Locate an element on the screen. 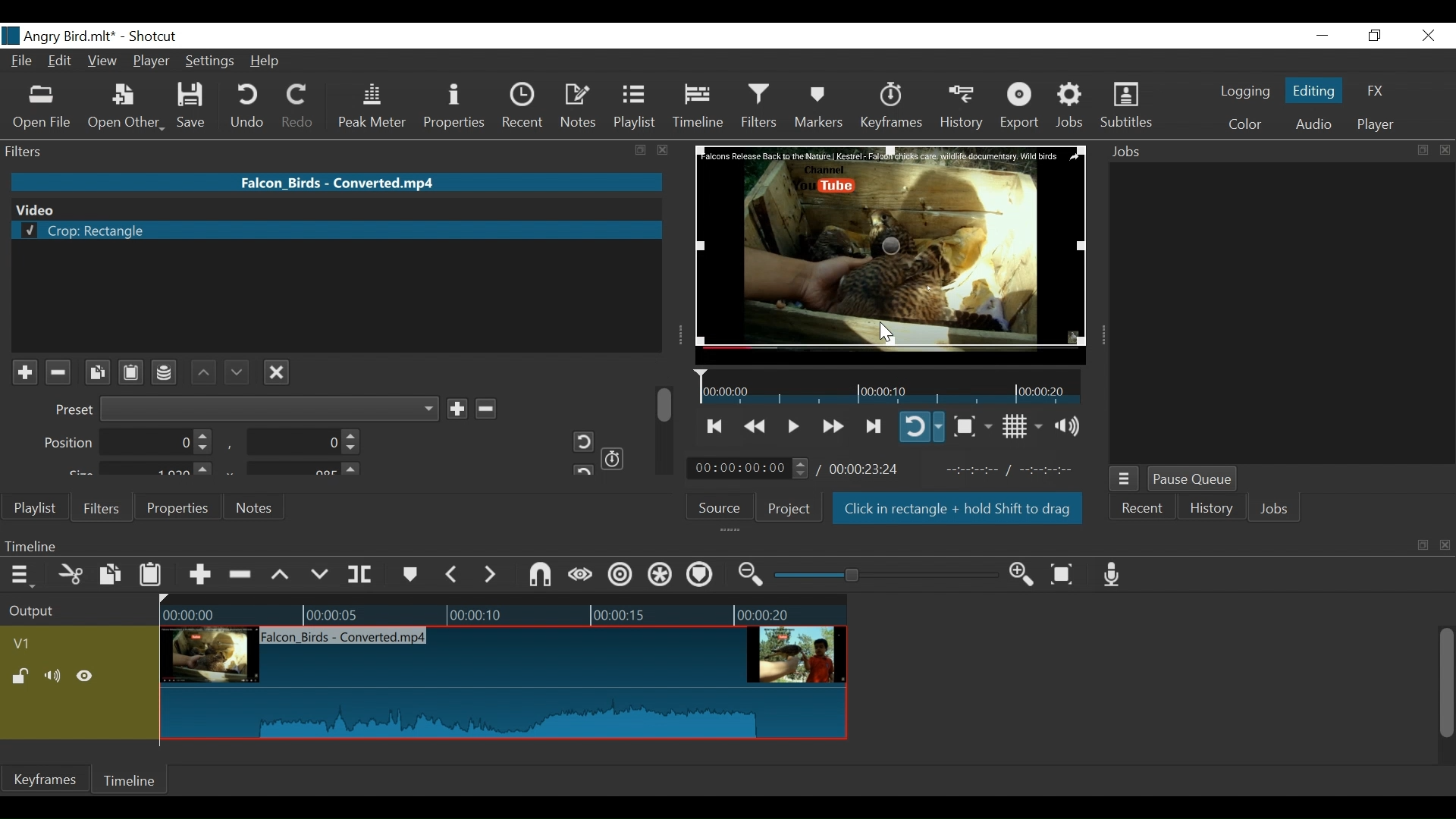  Play backward quickly is located at coordinates (757, 427).